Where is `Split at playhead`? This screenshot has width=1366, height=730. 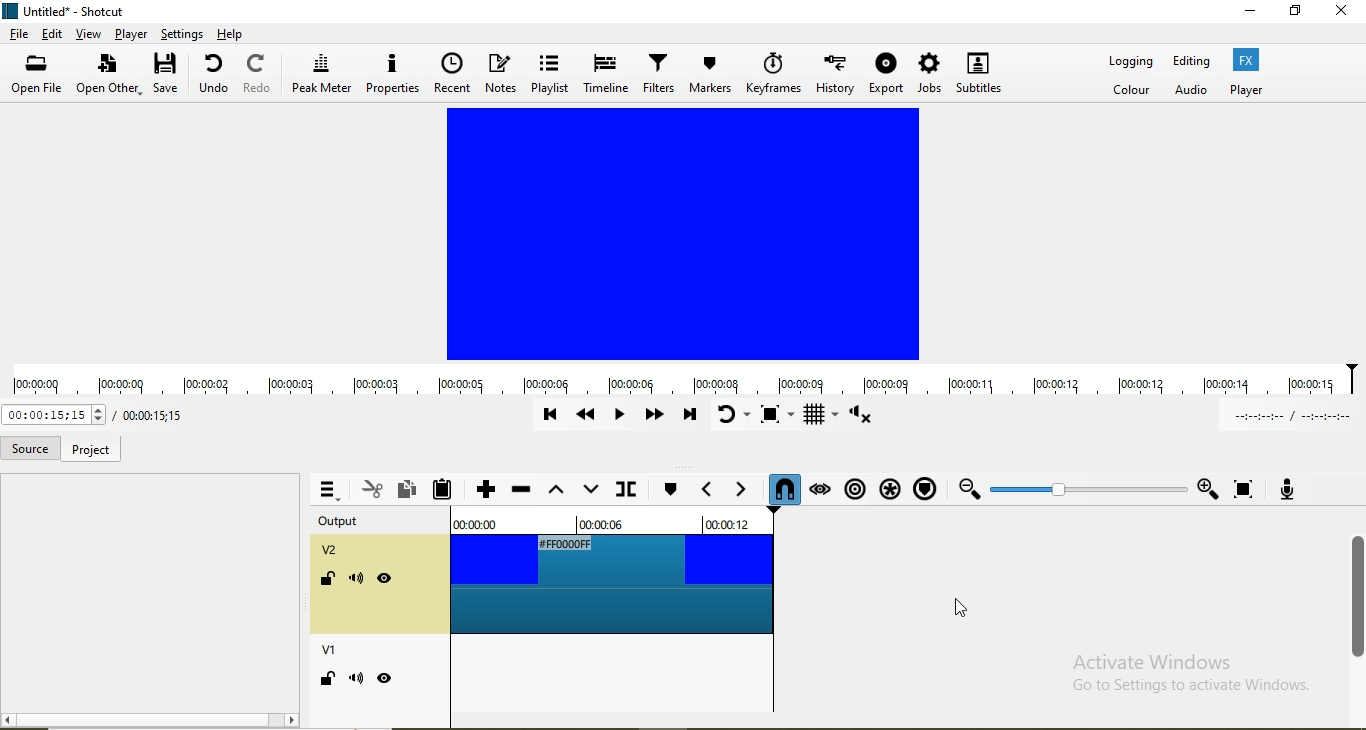 Split at playhead is located at coordinates (624, 492).